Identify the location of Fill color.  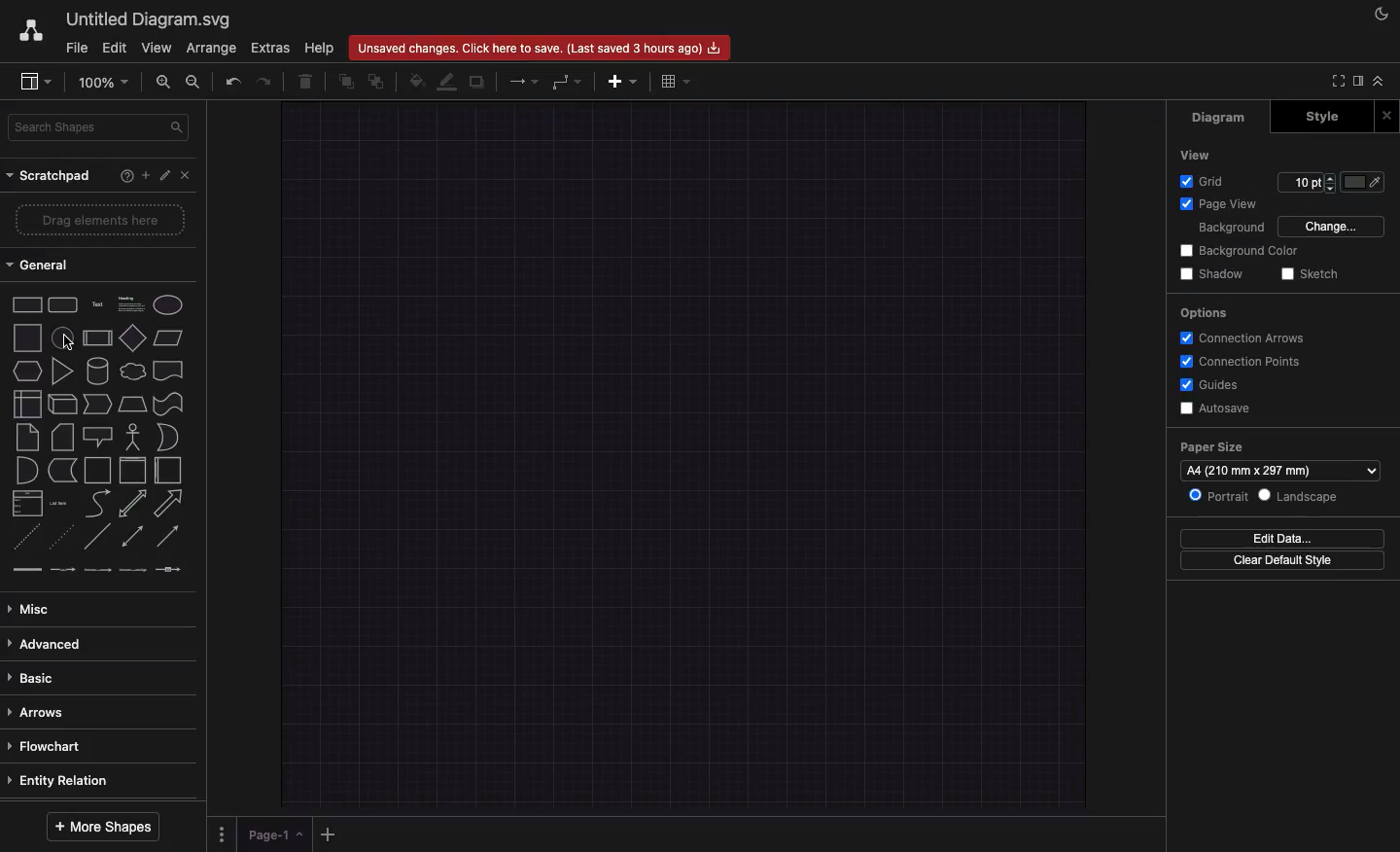
(1371, 180).